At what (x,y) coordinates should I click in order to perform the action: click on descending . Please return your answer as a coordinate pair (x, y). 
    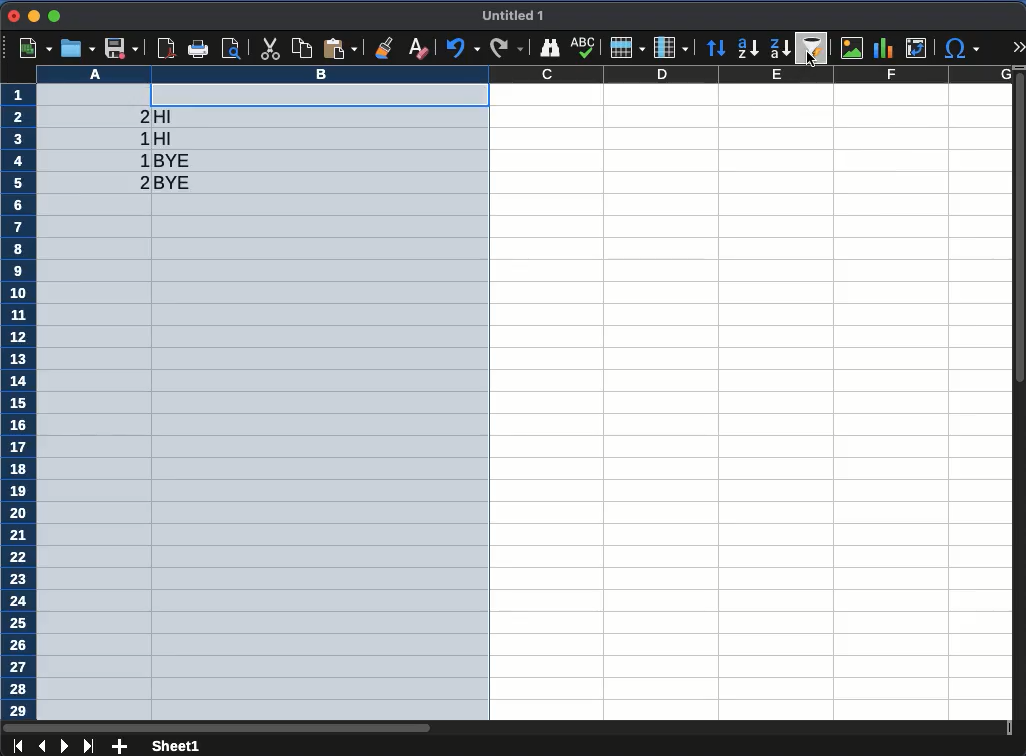
    Looking at the image, I should click on (782, 49).